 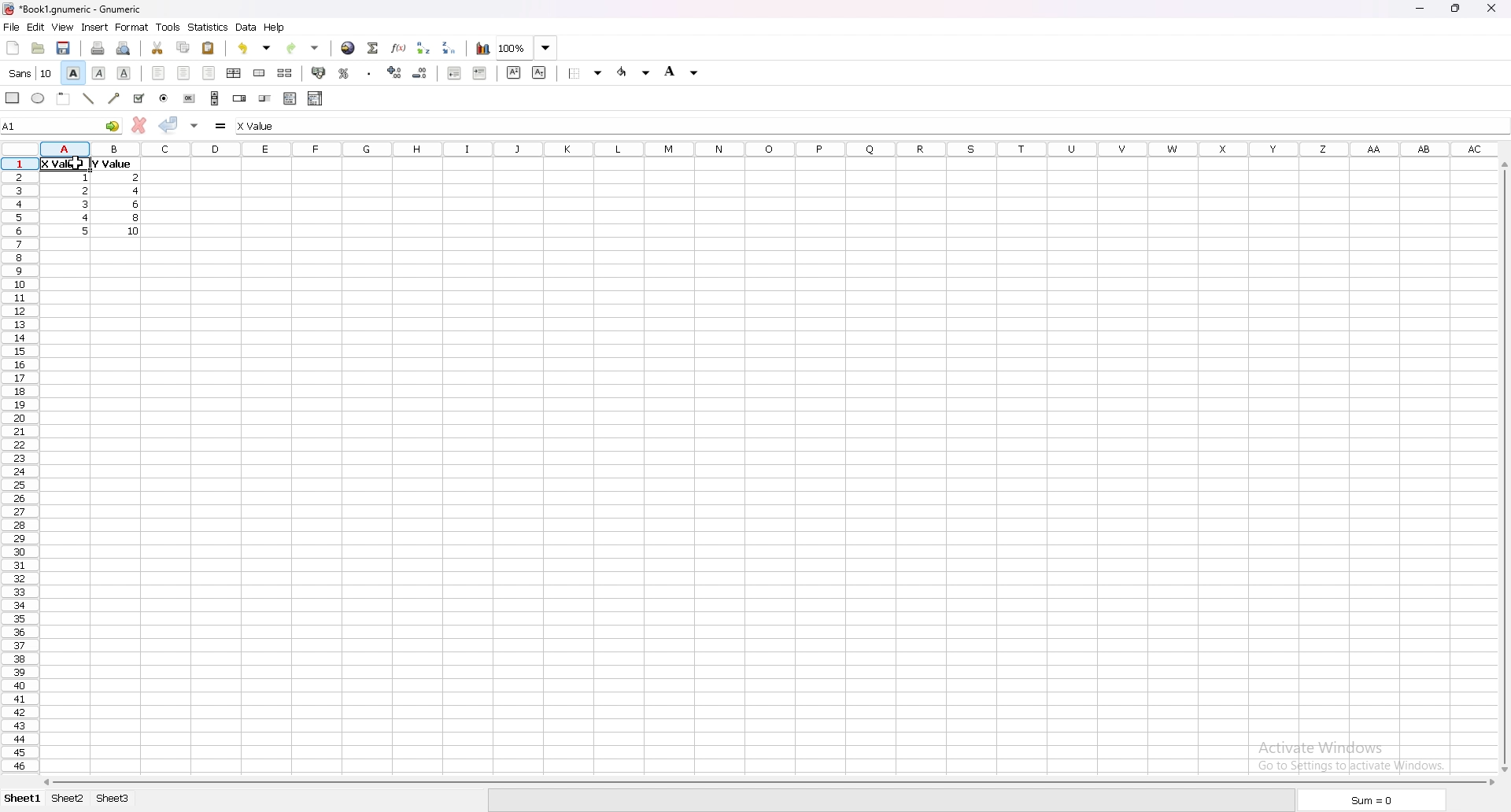 What do you see at coordinates (344, 73) in the screenshot?
I see `percentage` at bounding box center [344, 73].